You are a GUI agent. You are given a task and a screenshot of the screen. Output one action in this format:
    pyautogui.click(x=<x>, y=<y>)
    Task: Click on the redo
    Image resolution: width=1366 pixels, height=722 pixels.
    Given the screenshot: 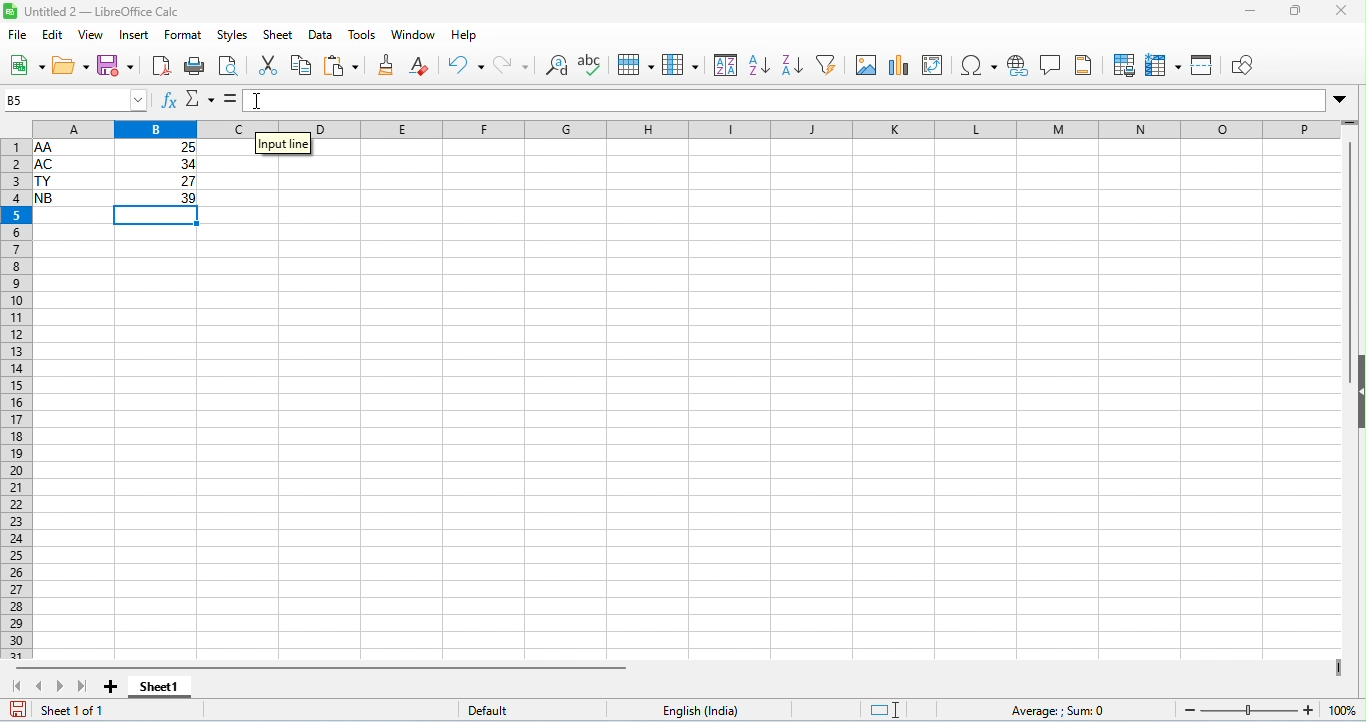 What is the action you would take?
    pyautogui.click(x=512, y=66)
    